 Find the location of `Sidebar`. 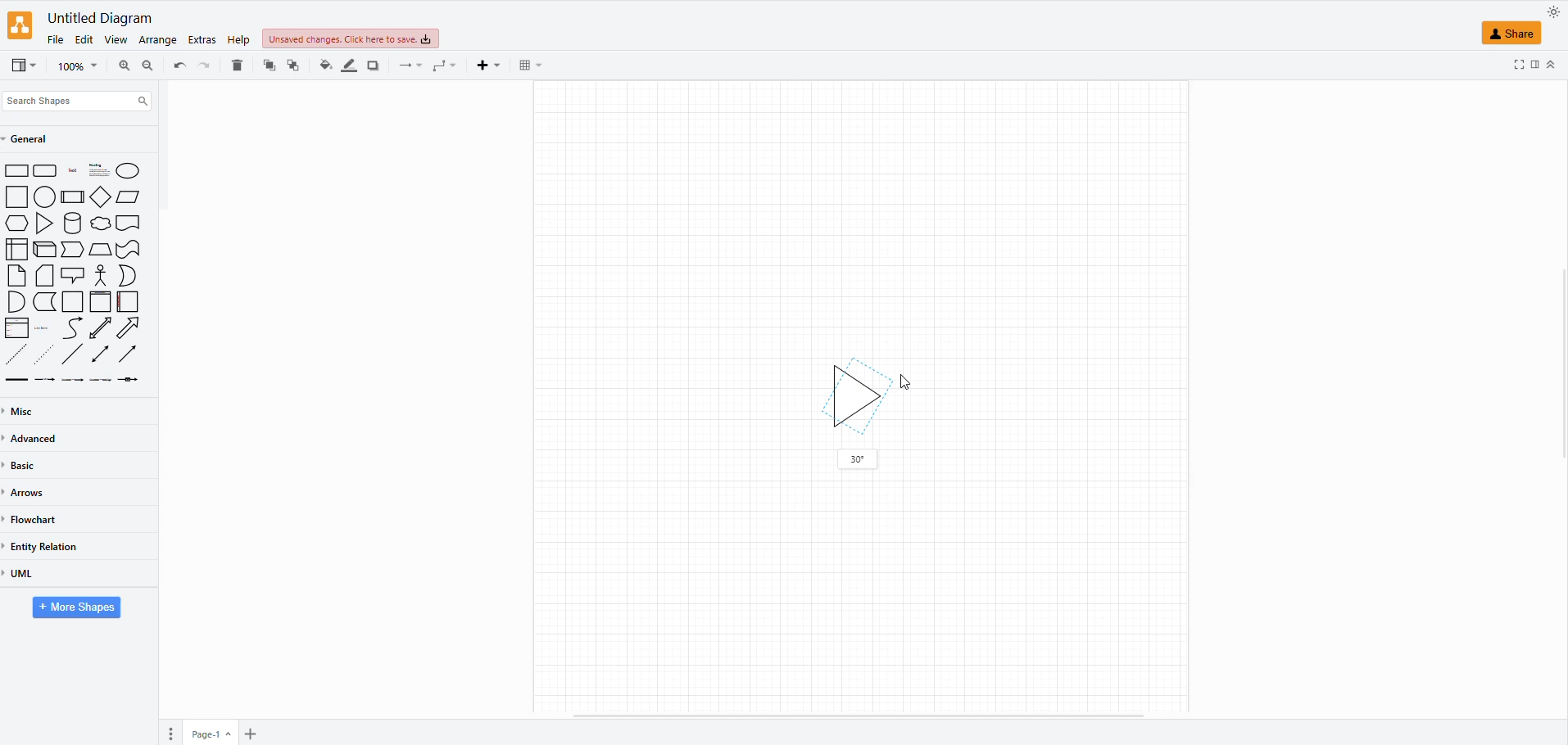

Sidebar is located at coordinates (129, 302).